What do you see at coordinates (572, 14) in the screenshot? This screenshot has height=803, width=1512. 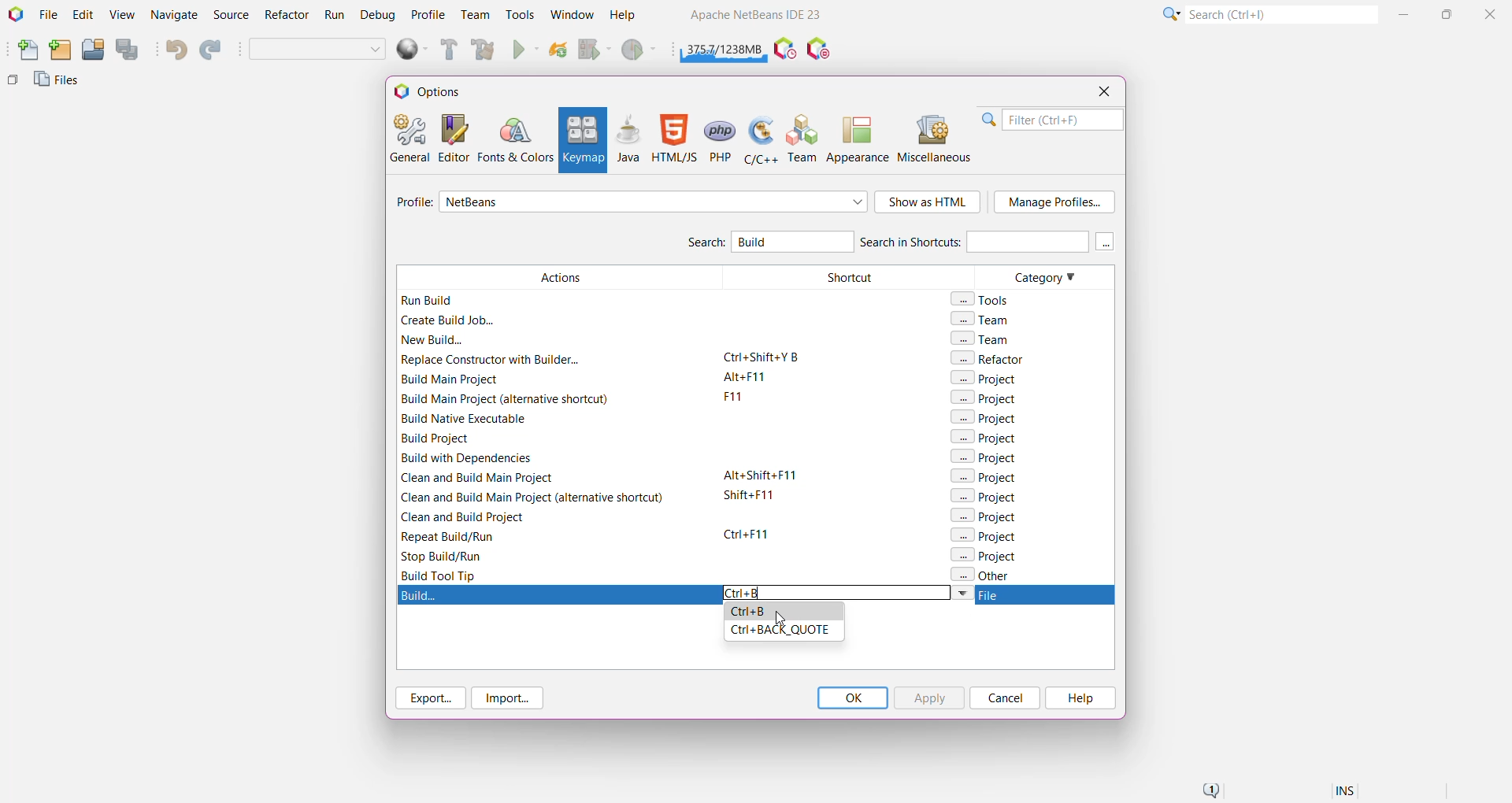 I see `Window` at bounding box center [572, 14].